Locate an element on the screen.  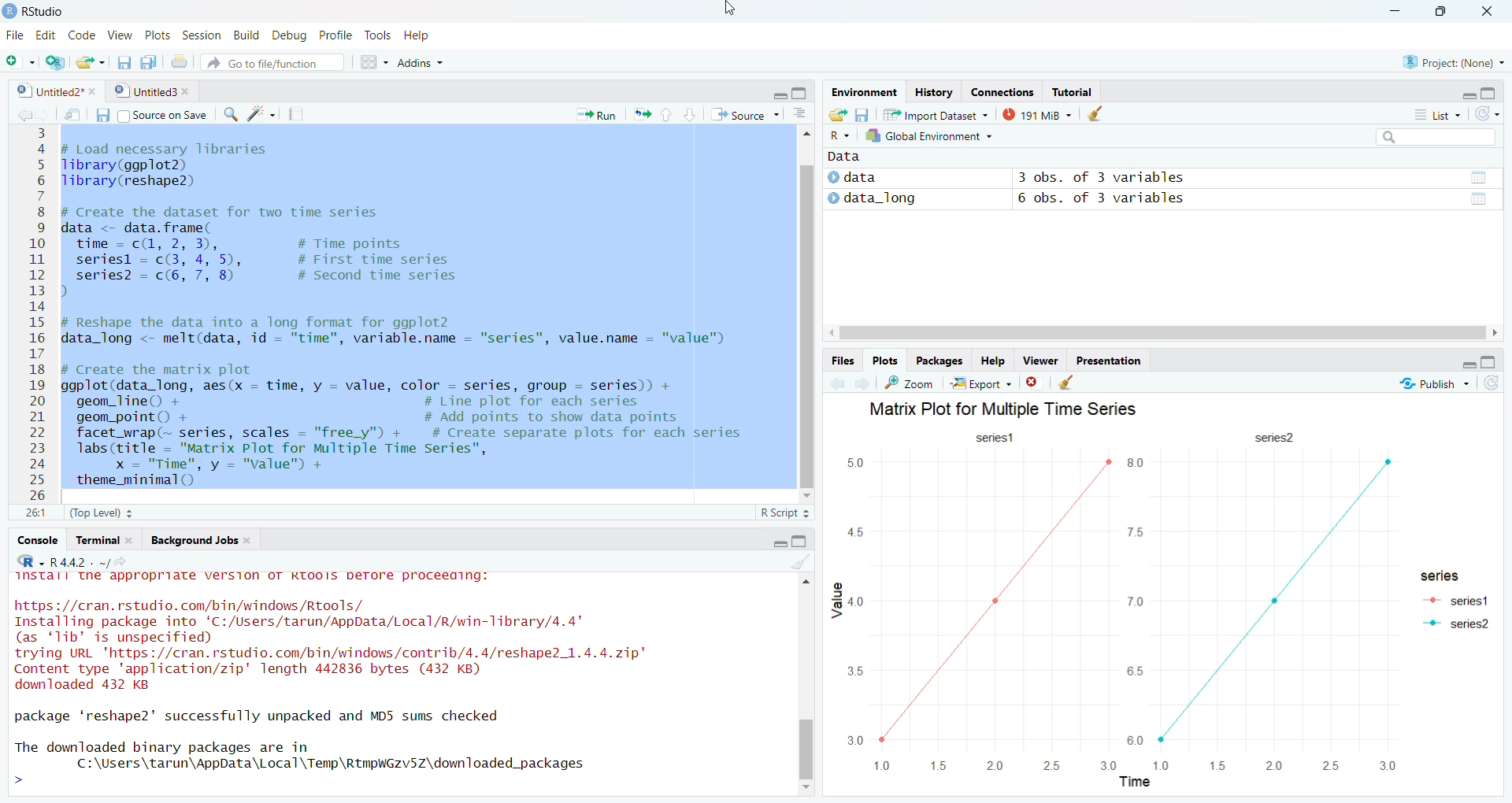
scroll up is located at coordinates (806, 137).